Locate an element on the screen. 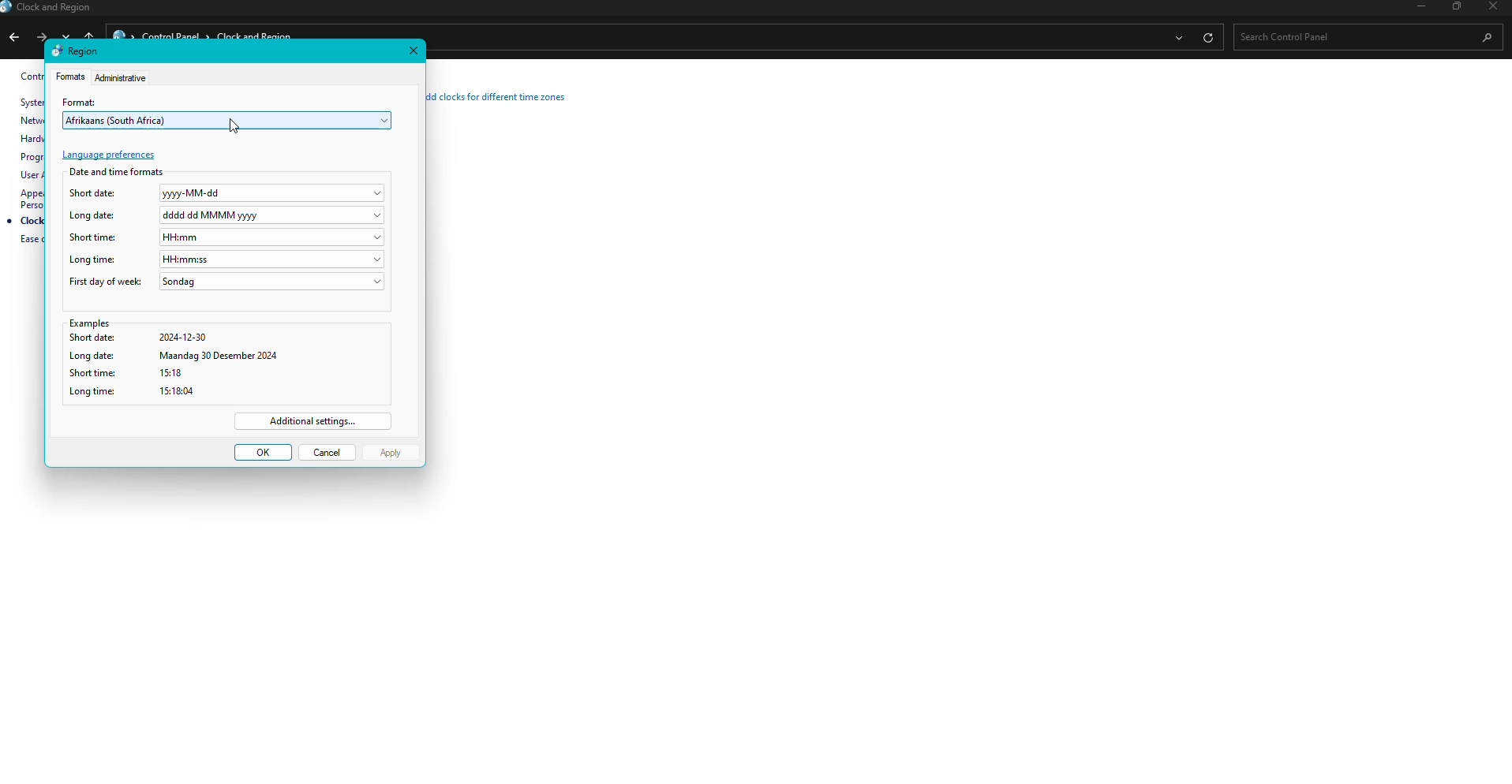 The height and width of the screenshot is (784, 1512). refresh is located at coordinates (1207, 37).